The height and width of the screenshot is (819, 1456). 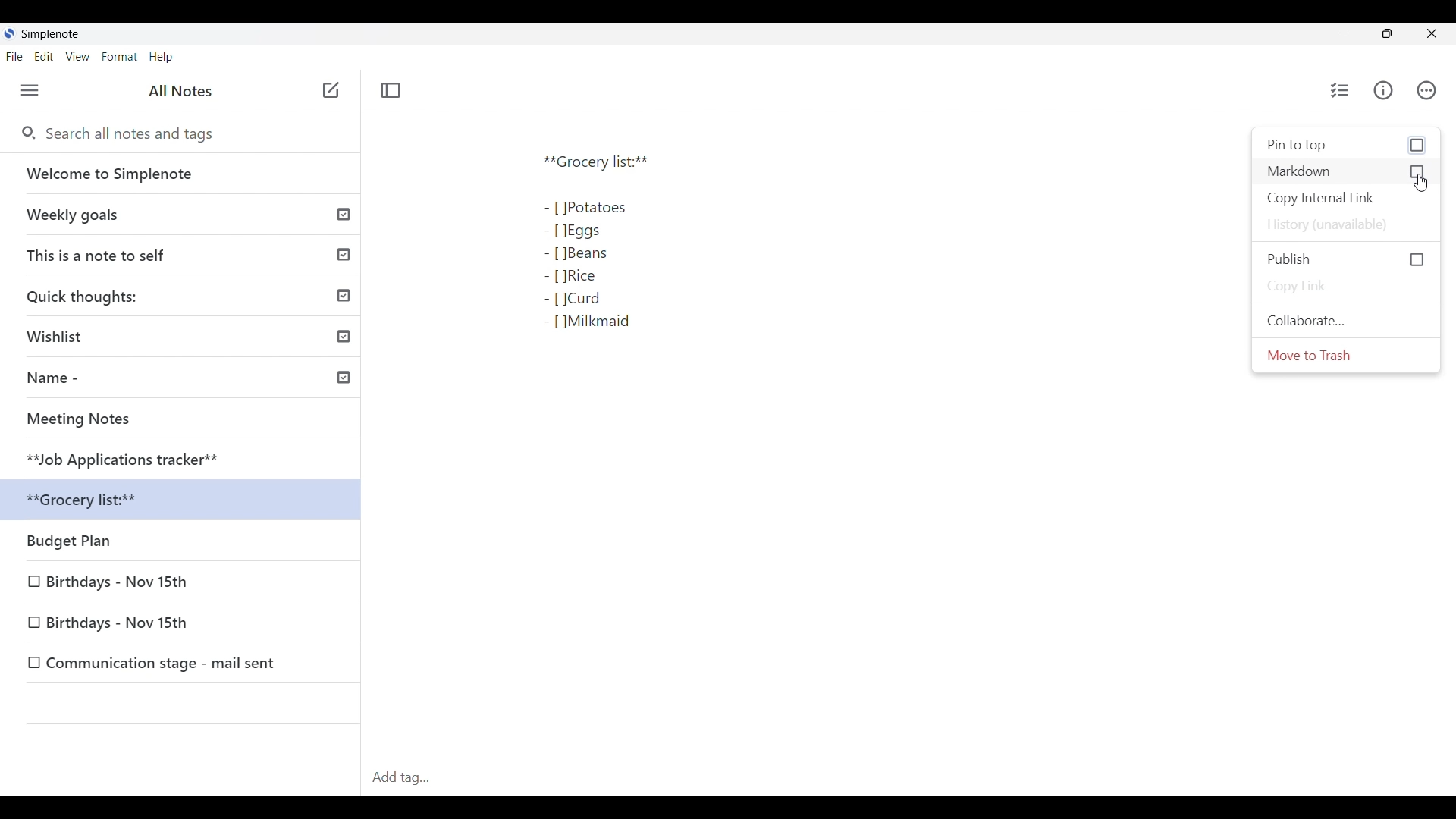 I want to click on File, so click(x=14, y=56).